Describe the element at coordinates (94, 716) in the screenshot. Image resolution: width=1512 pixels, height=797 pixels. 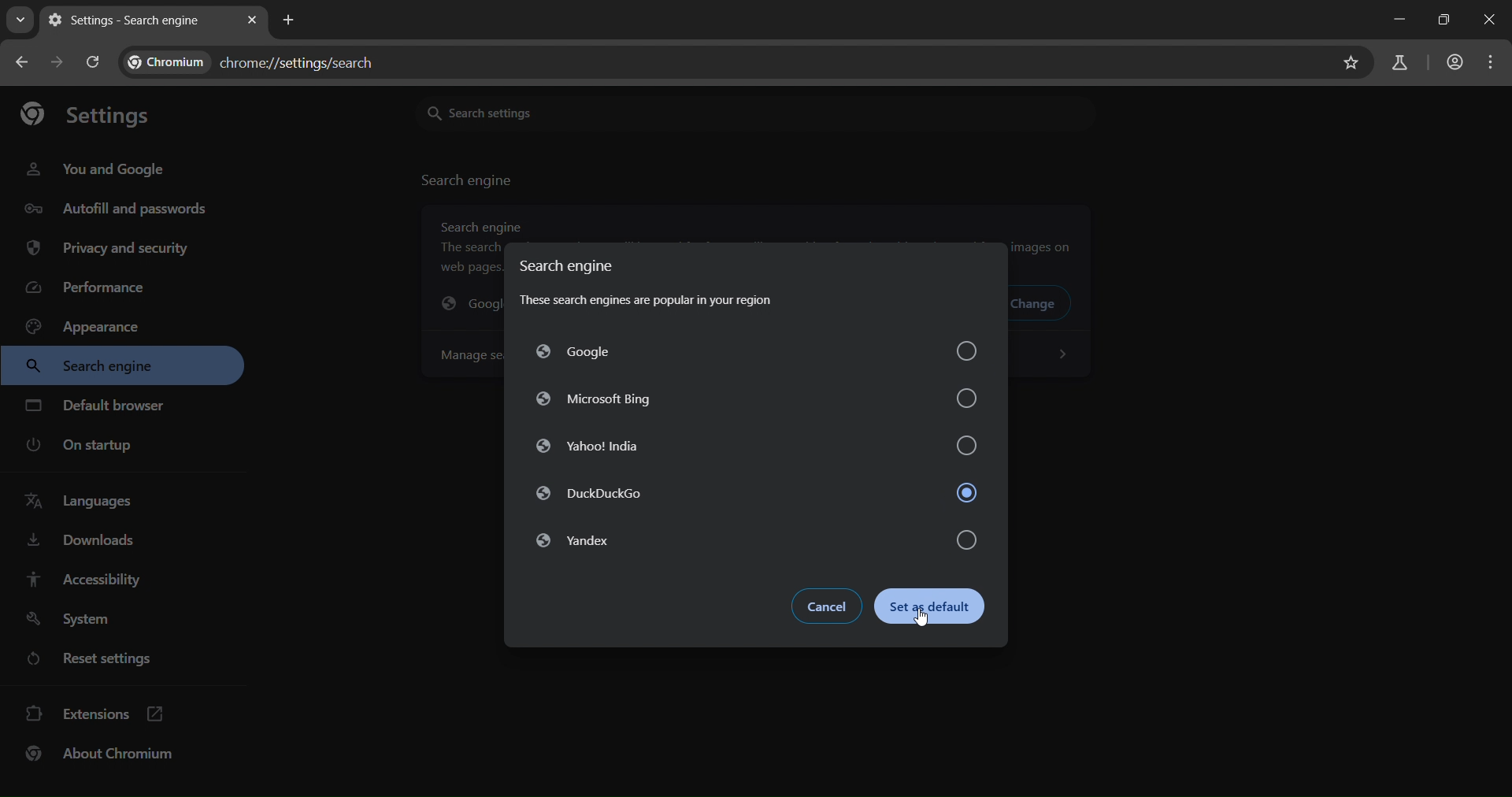
I see `extensions` at that location.